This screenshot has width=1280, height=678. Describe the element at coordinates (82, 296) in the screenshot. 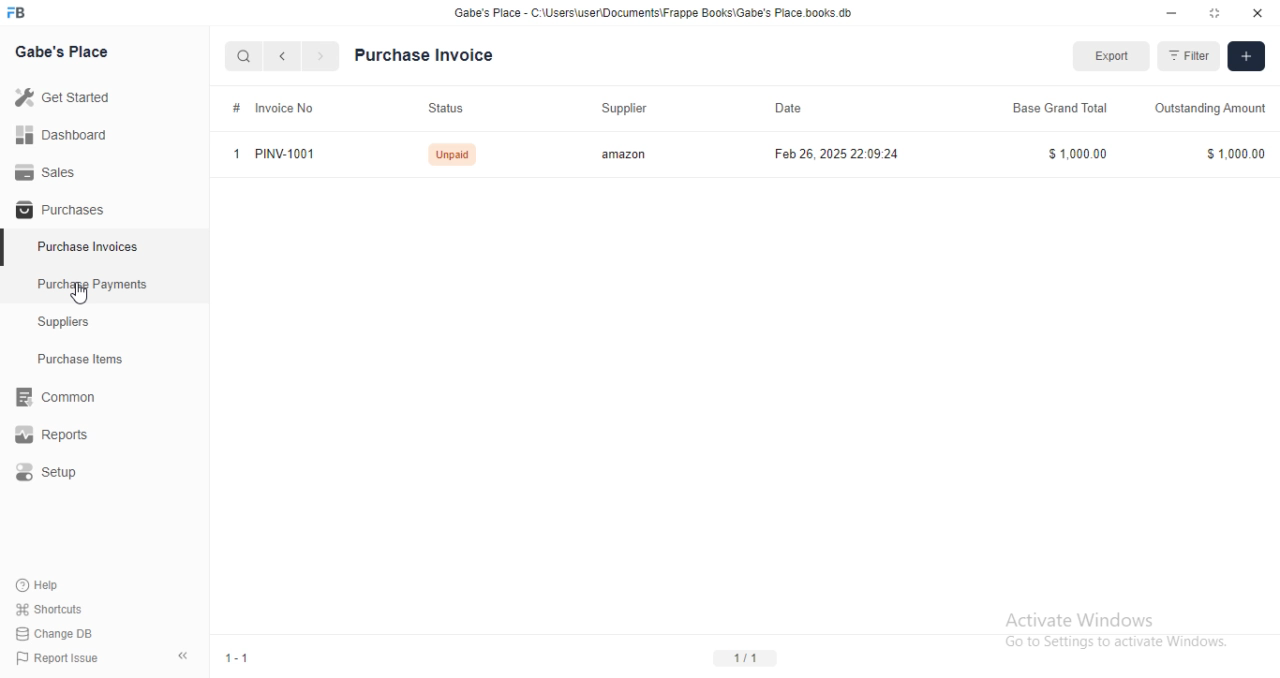

I see `cursor` at that location.